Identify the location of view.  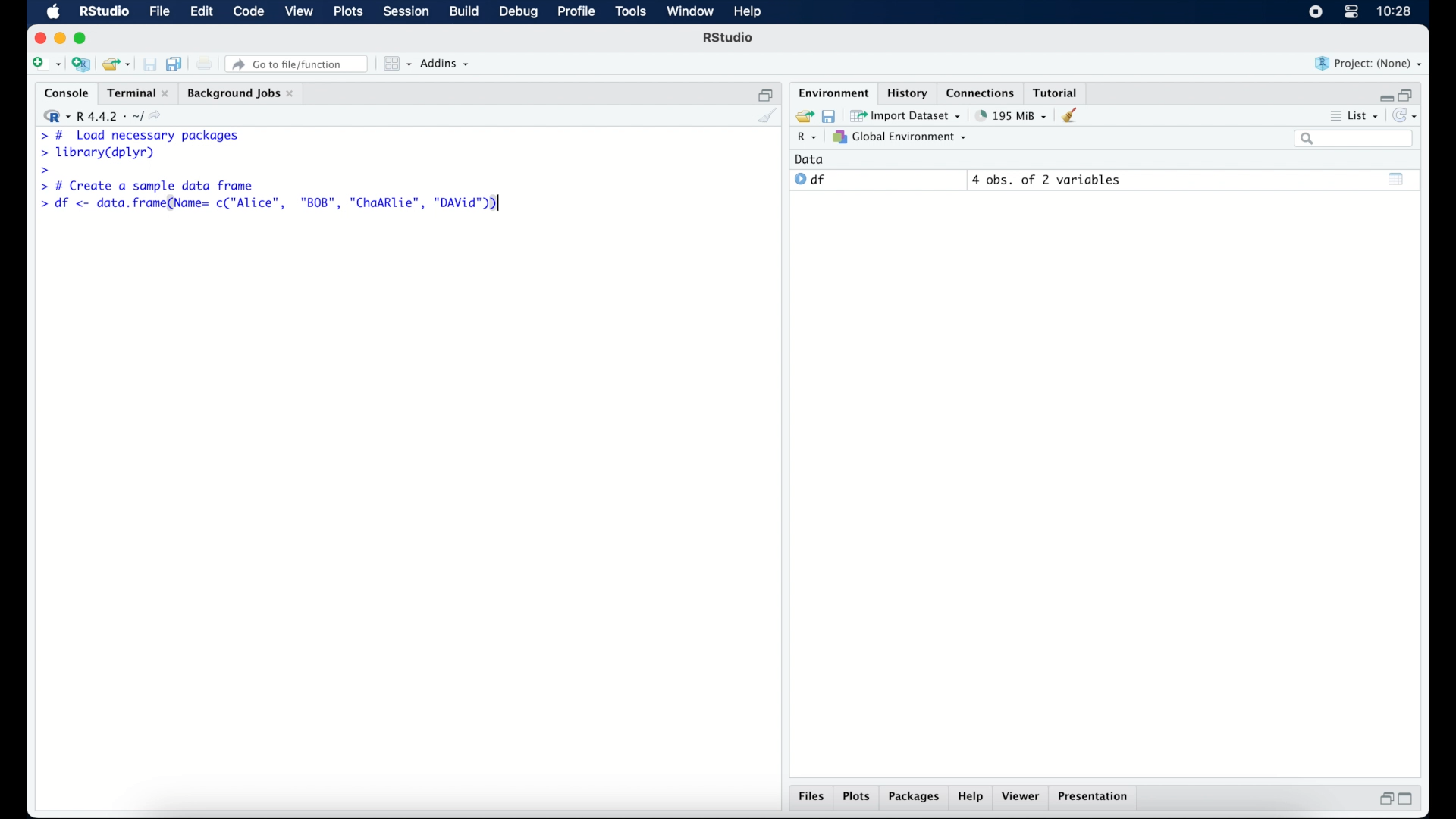
(300, 13).